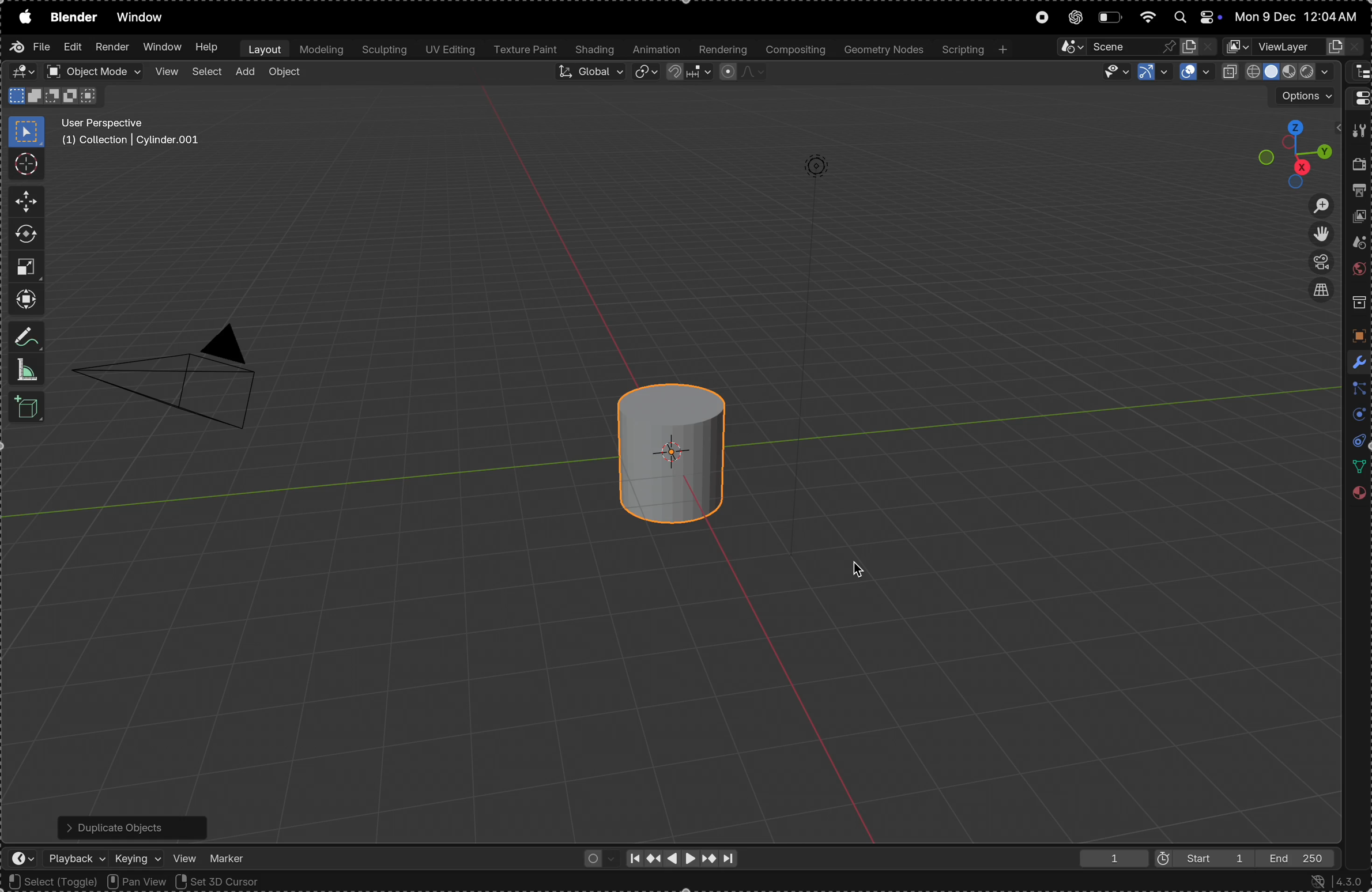 The height and width of the screenshot is (892, 1372). What do you see at coordinates (1358, 73) in the screenshot?
I see `editor type` at bounding box center [1358, 73].